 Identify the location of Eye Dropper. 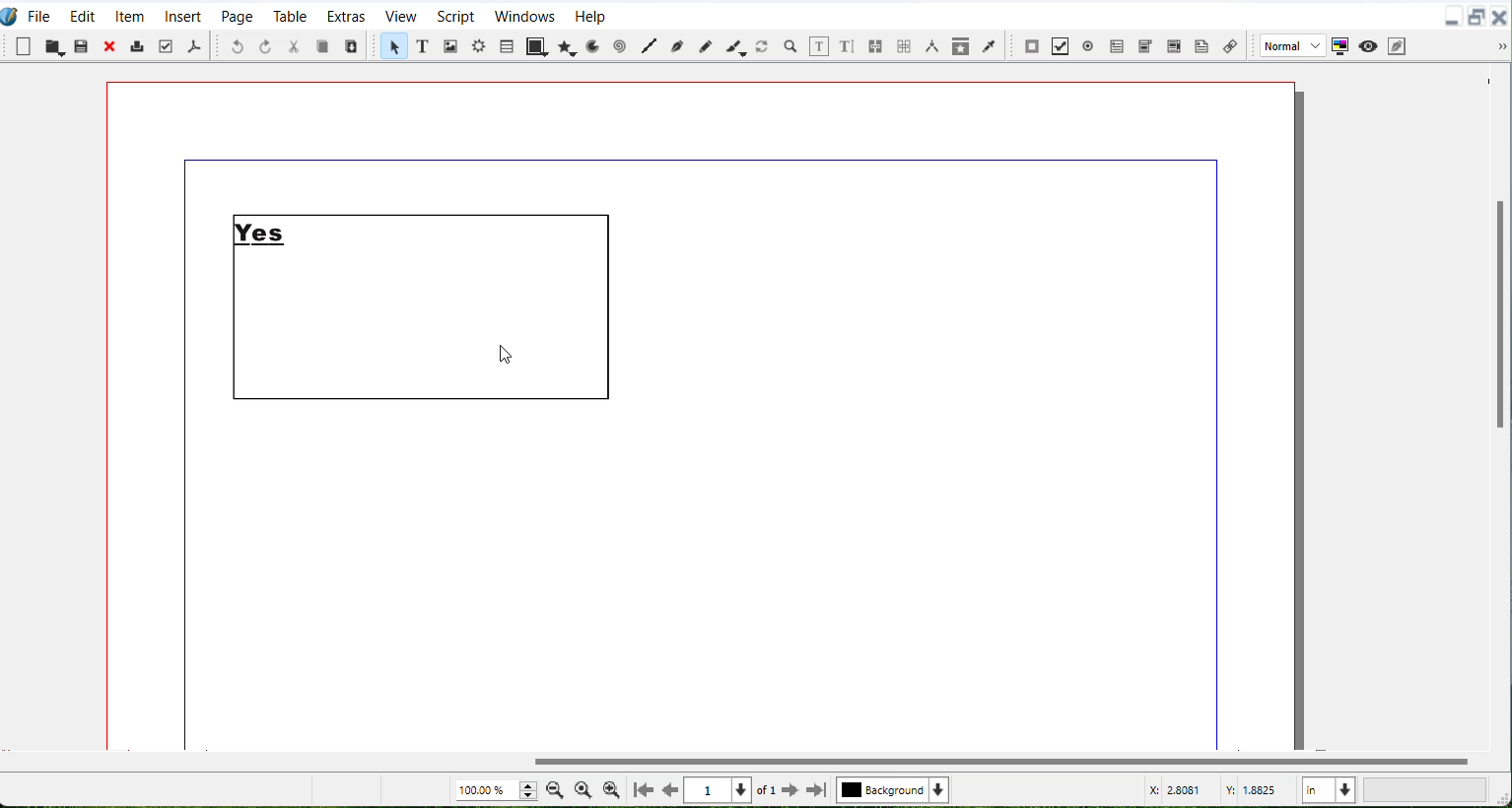
(991, 44).